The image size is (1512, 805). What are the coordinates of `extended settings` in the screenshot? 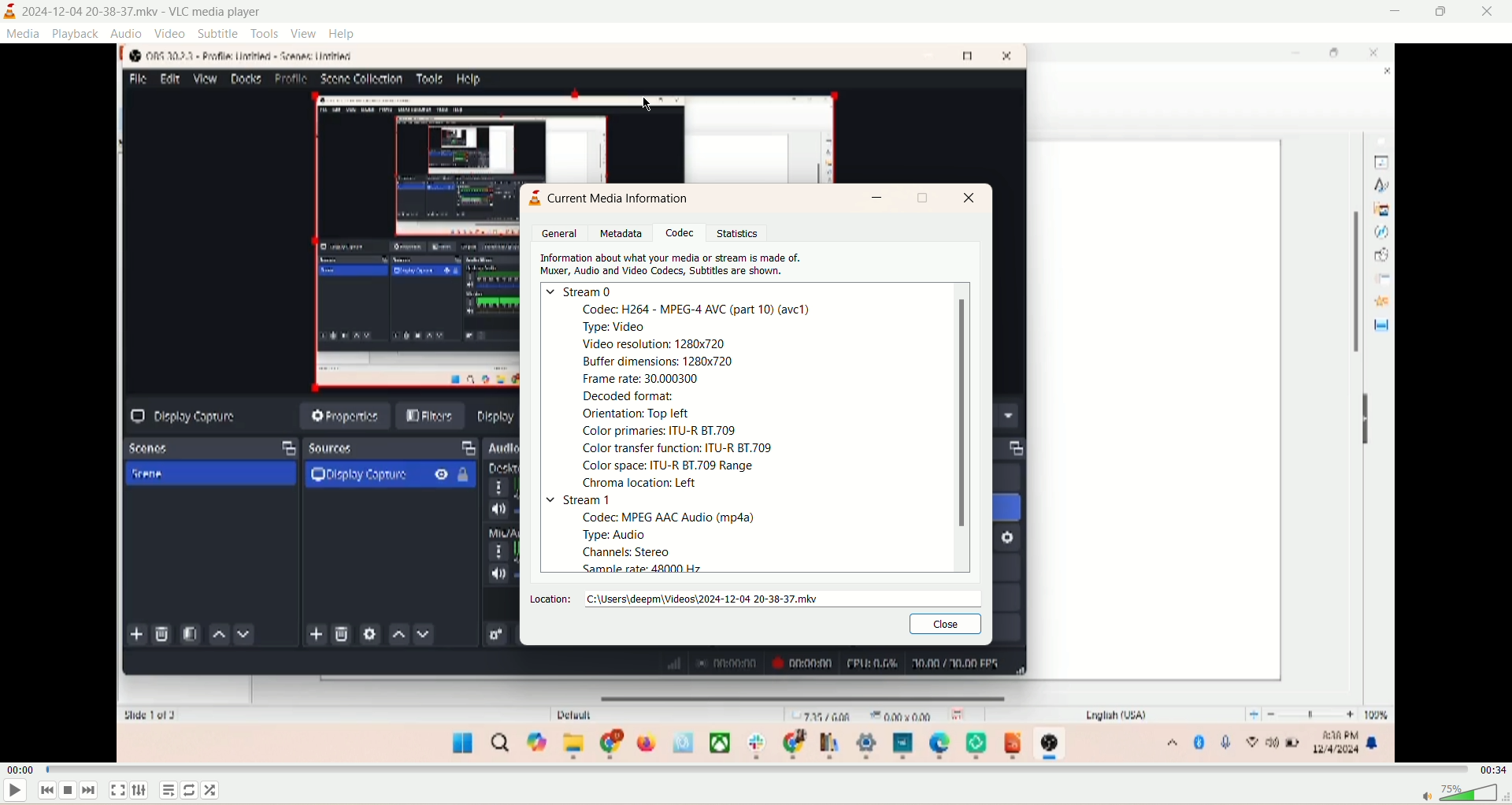 It's located at (143, 791).